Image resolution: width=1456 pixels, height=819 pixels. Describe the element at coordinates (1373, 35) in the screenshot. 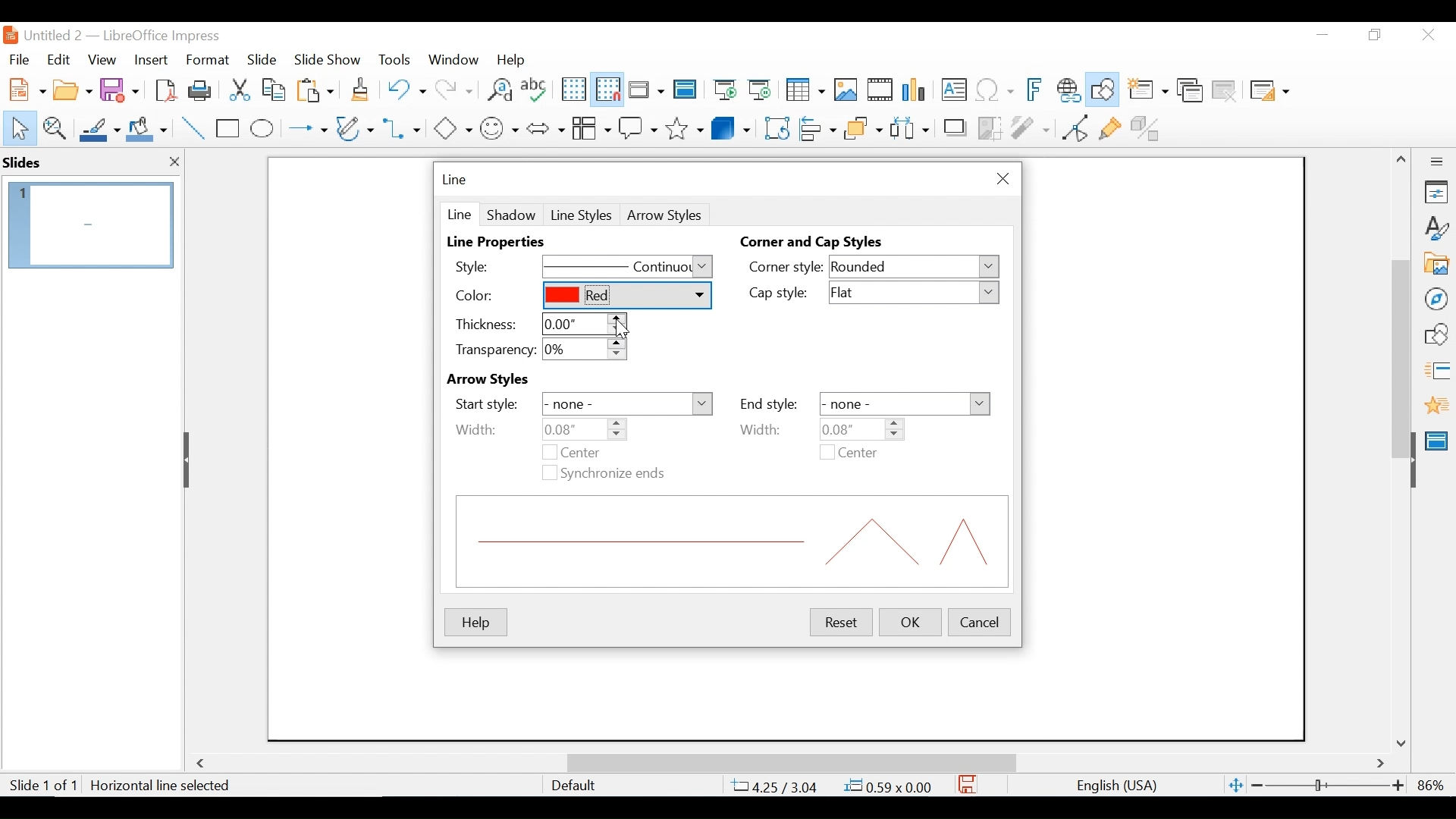

I see `Restore` at that location.